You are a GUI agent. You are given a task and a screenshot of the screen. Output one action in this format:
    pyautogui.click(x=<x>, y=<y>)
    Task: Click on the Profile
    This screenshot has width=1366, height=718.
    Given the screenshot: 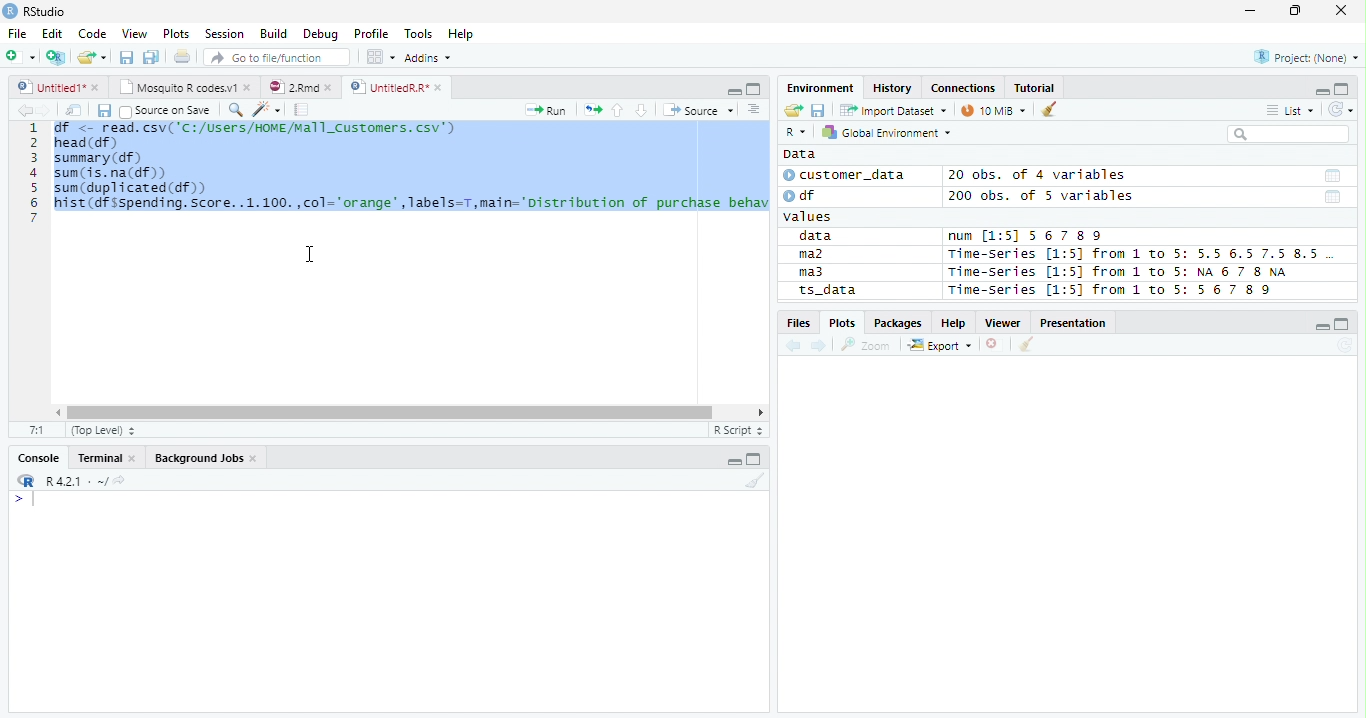 What is the action you would take?
    pyautogui.click(x=370, y=34)
    